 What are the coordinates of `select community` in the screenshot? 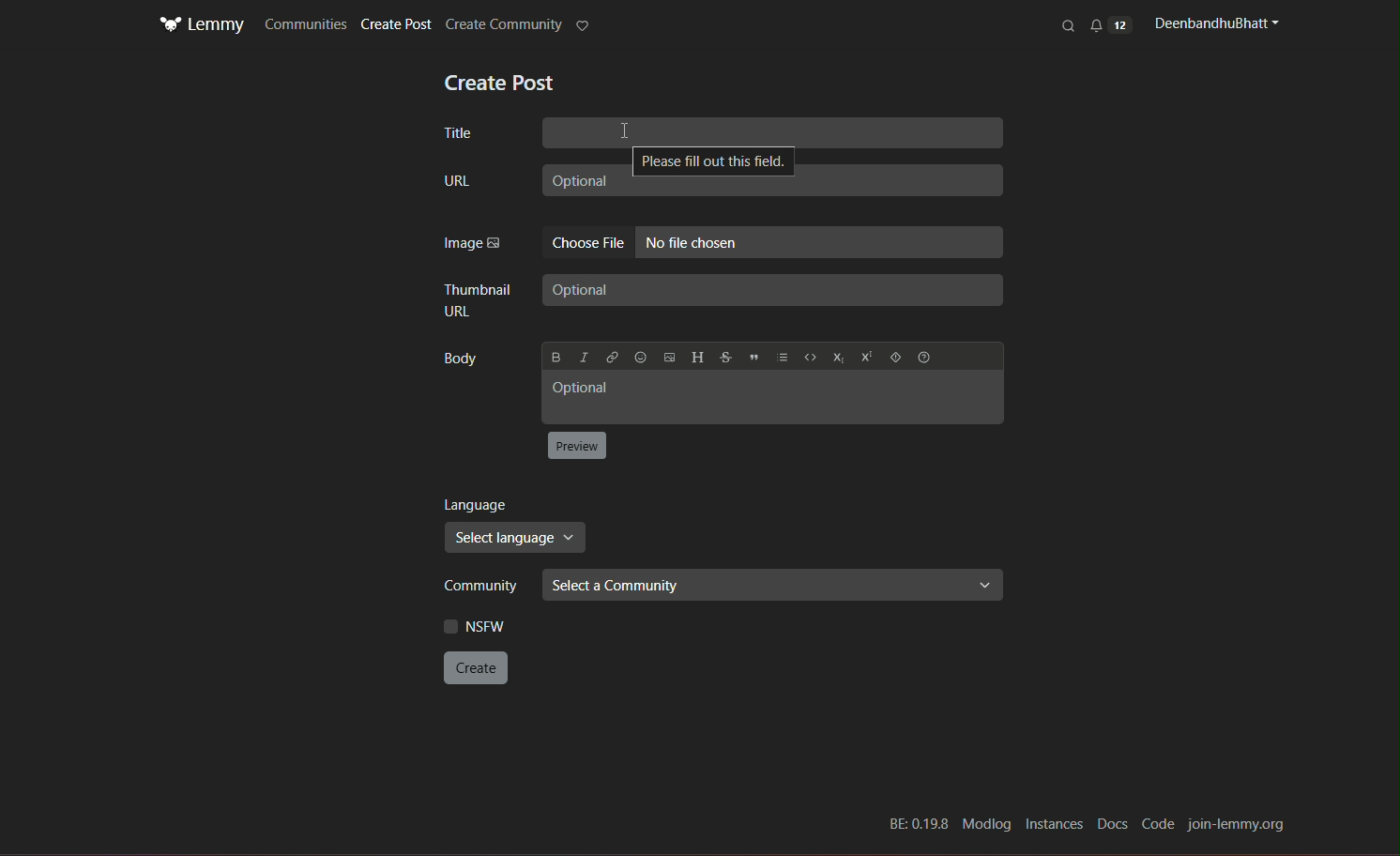 It's located at (773, 584).